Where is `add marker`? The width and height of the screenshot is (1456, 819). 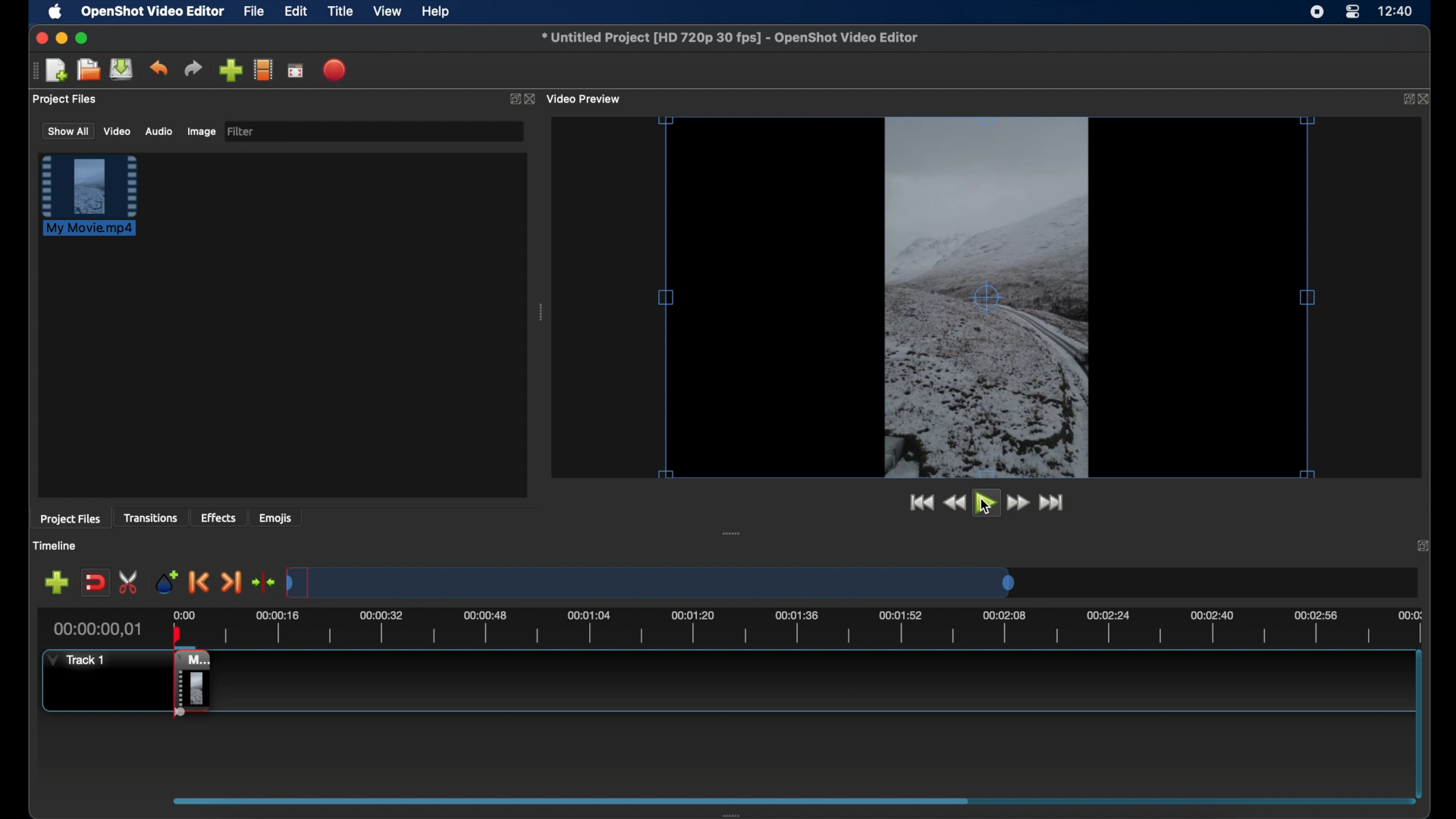
add marker is located at coordinates (165, 581).